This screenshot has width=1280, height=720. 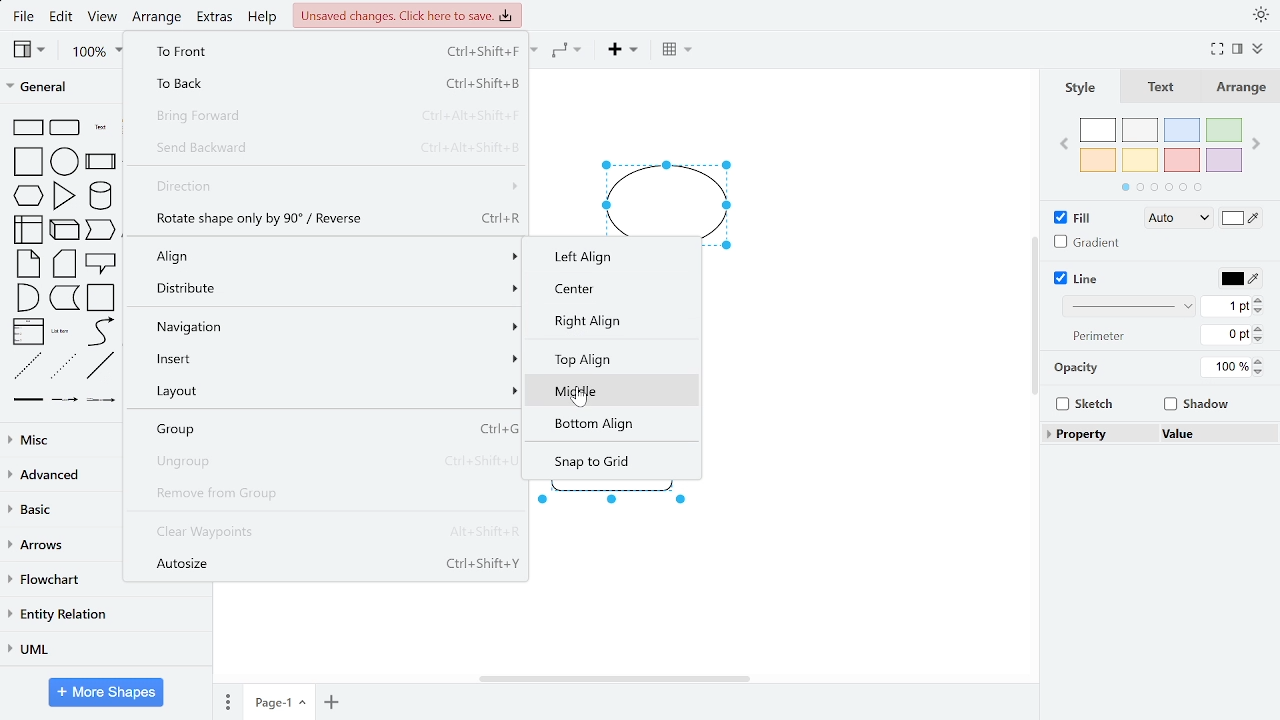 What do you see at coordinates (28, 264) in the screenshot?
I see `note` at bounding box center [28, 264].